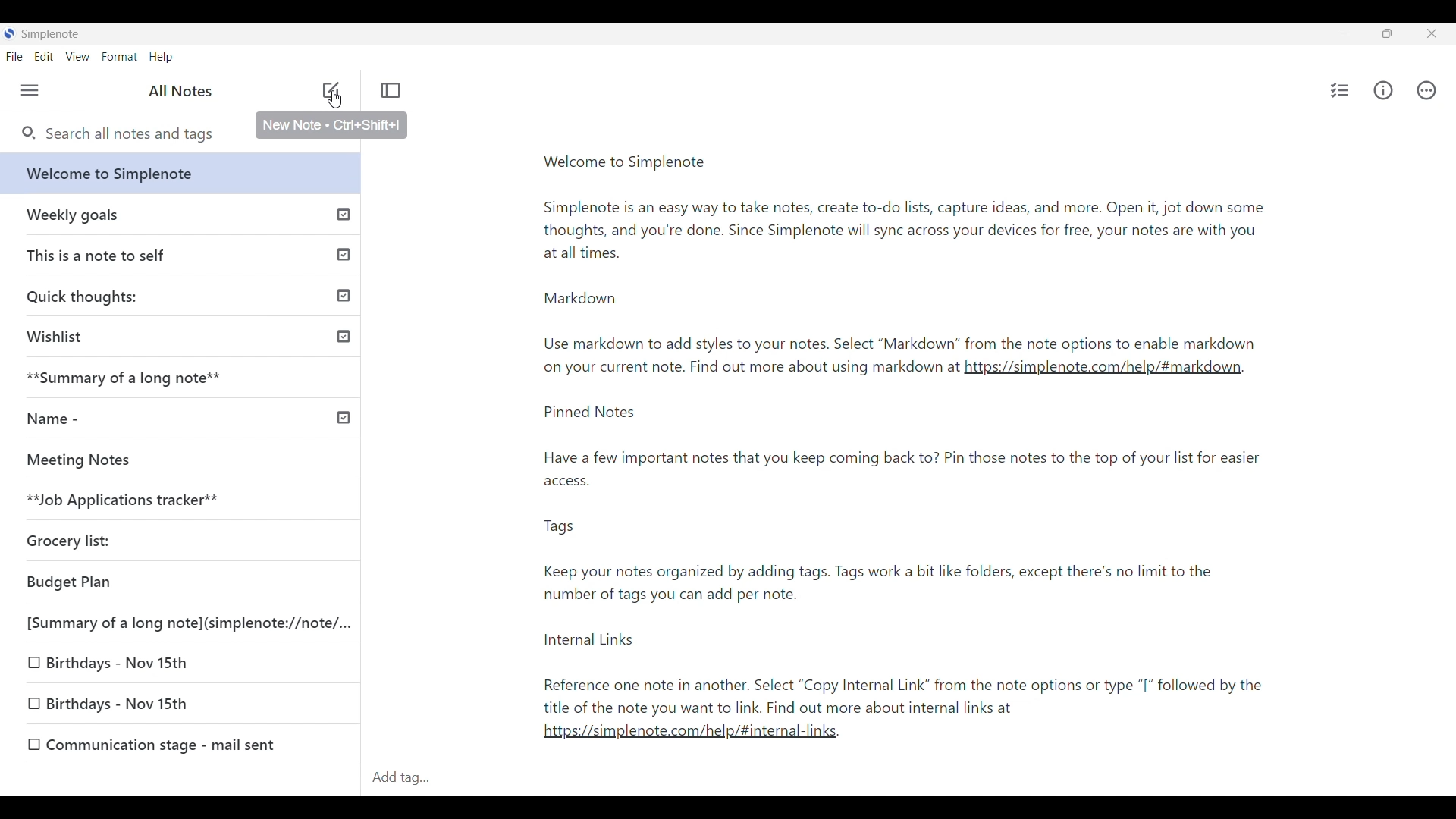 The height and width of the screenshot is (819, 1456). What do you see at coordinates (1105, 366) in the screenshot?
I see `link text` at bounding box center [1105, 366].